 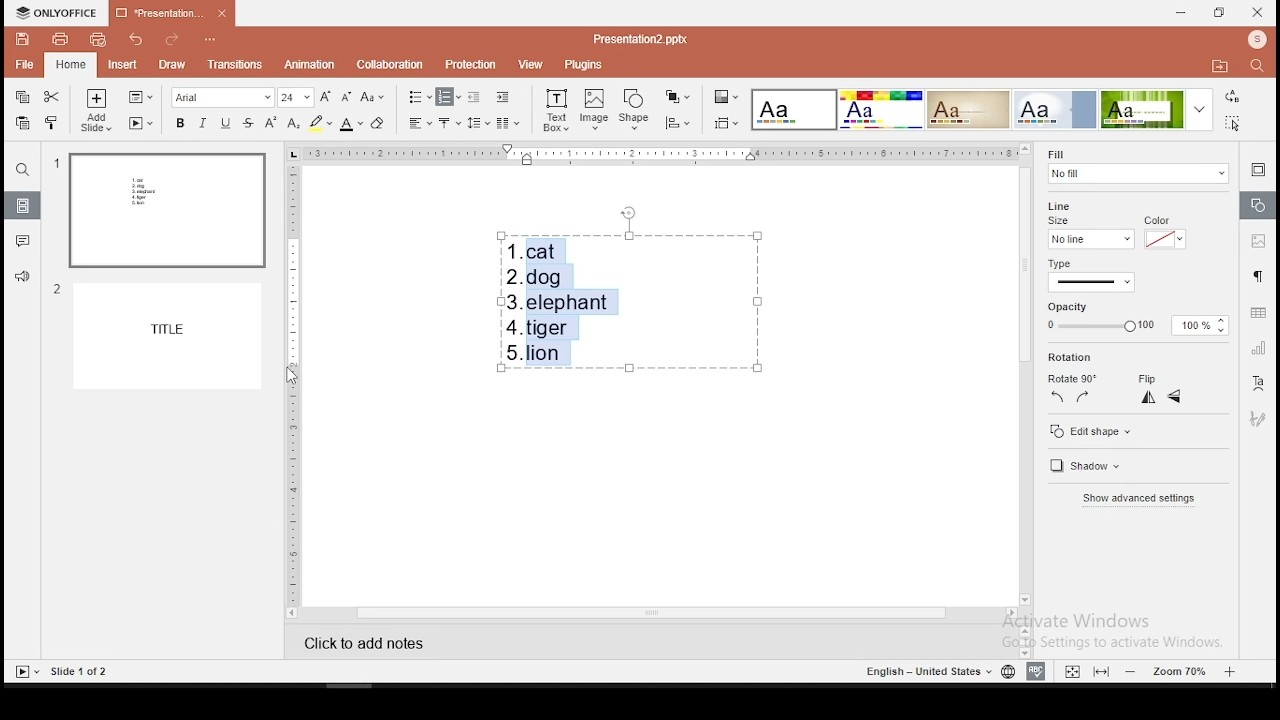 What do you see at coordinates (172, 64) in the screenshot?
I see `draw` at bounding box center [172, 64].